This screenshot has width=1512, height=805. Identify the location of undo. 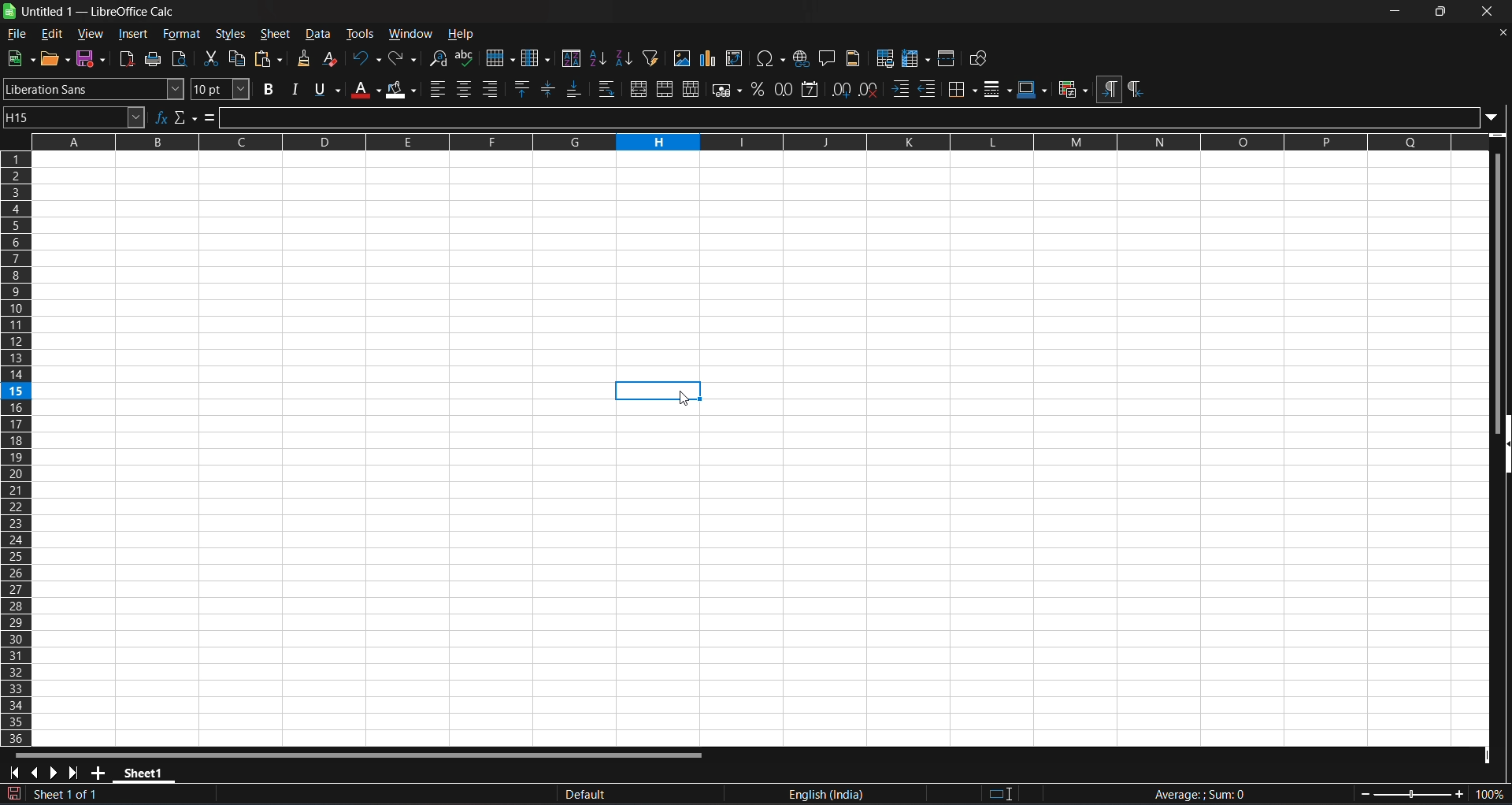
(368, 60).